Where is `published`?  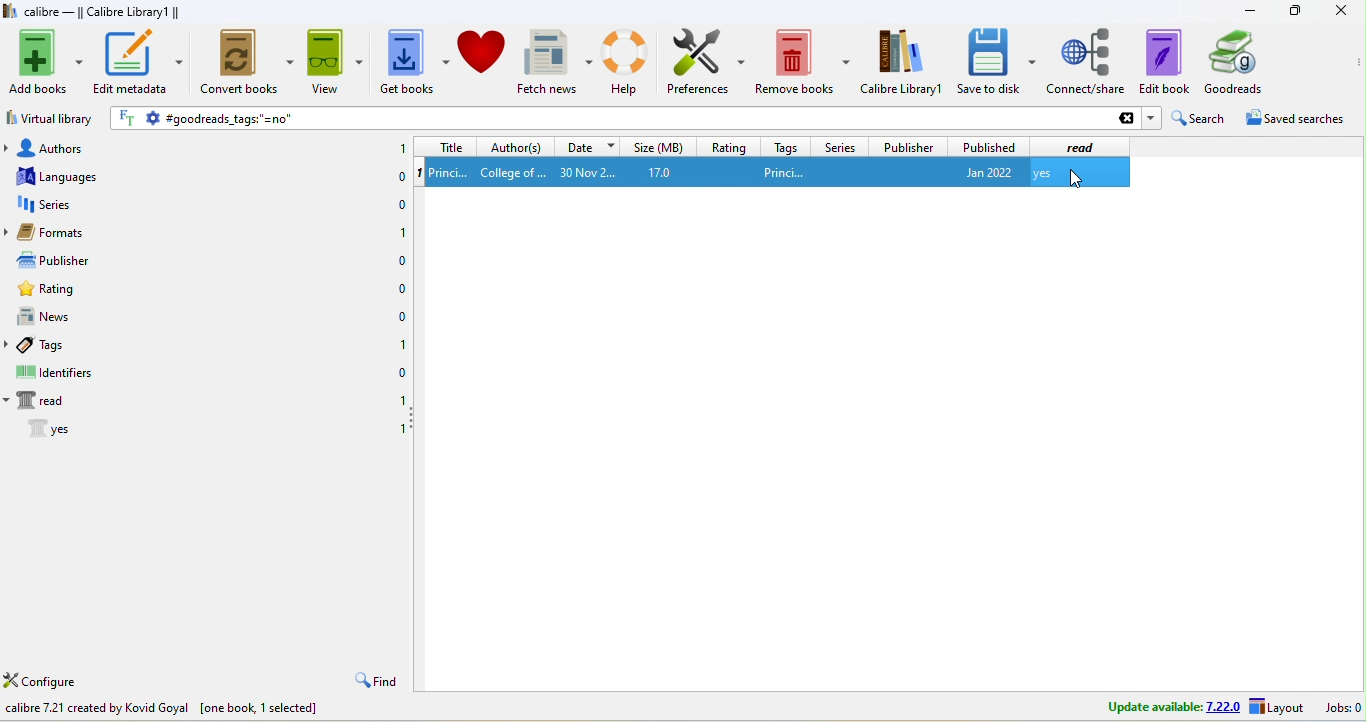
published is located at coordinates (988, 146).